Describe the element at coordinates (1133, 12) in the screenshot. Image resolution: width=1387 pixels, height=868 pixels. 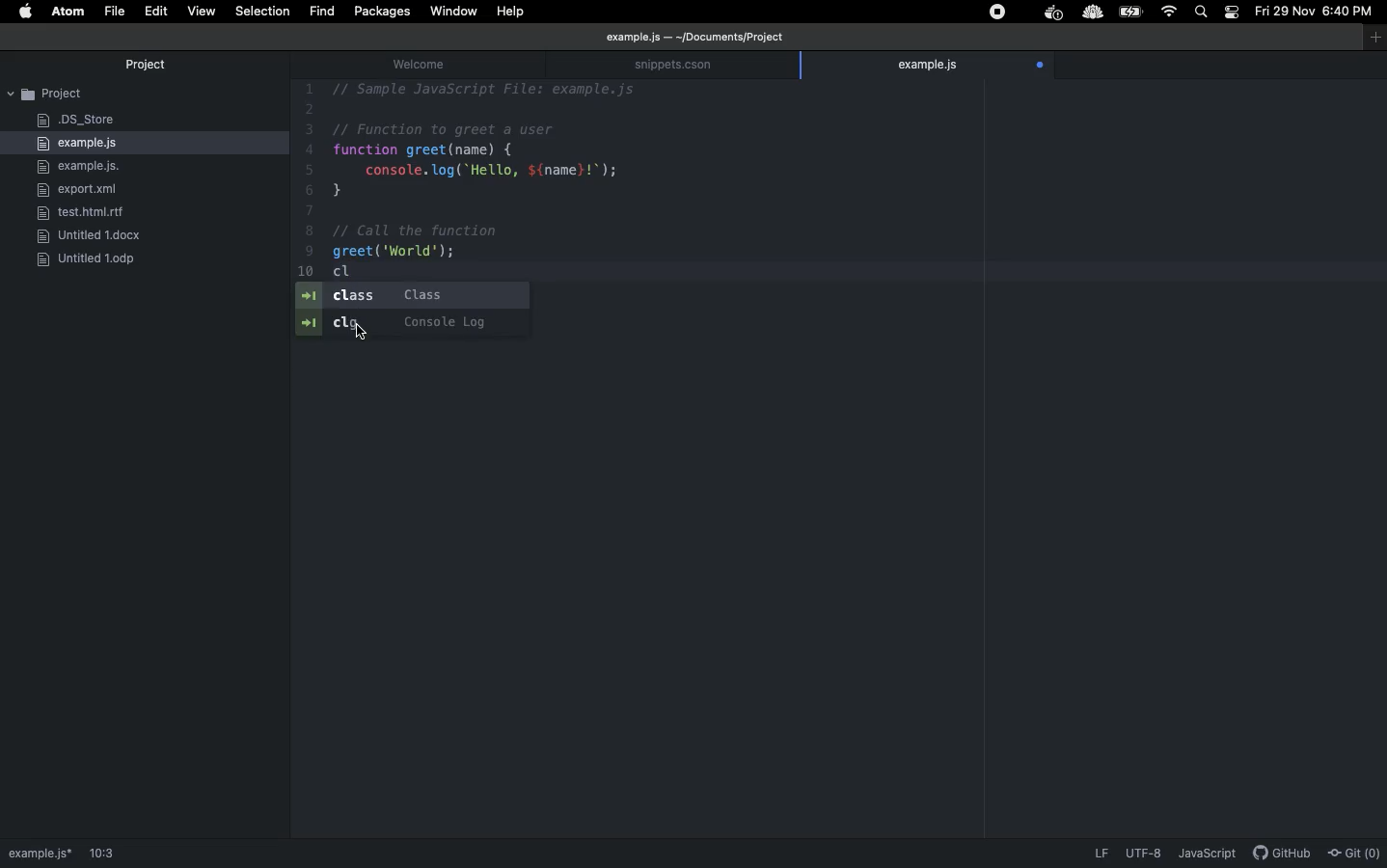
I see `Charge` at that location.